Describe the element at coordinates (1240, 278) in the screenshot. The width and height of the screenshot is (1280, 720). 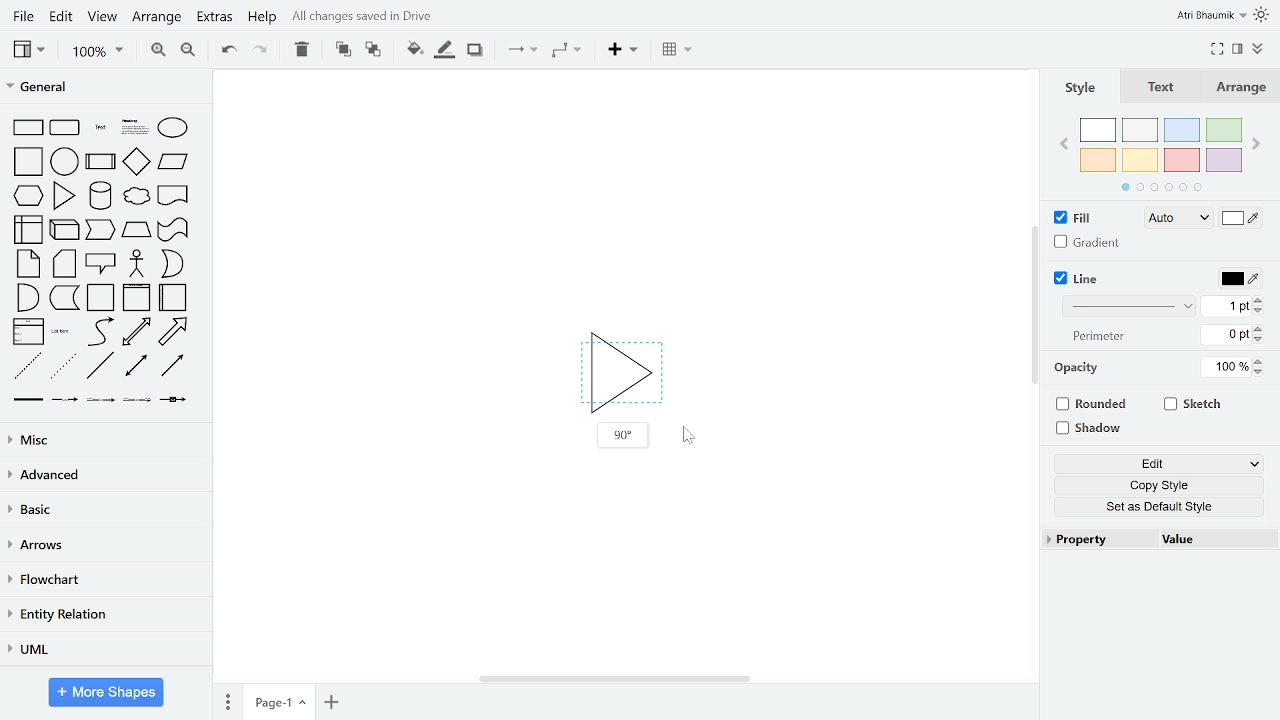
I see `line color` at that location.